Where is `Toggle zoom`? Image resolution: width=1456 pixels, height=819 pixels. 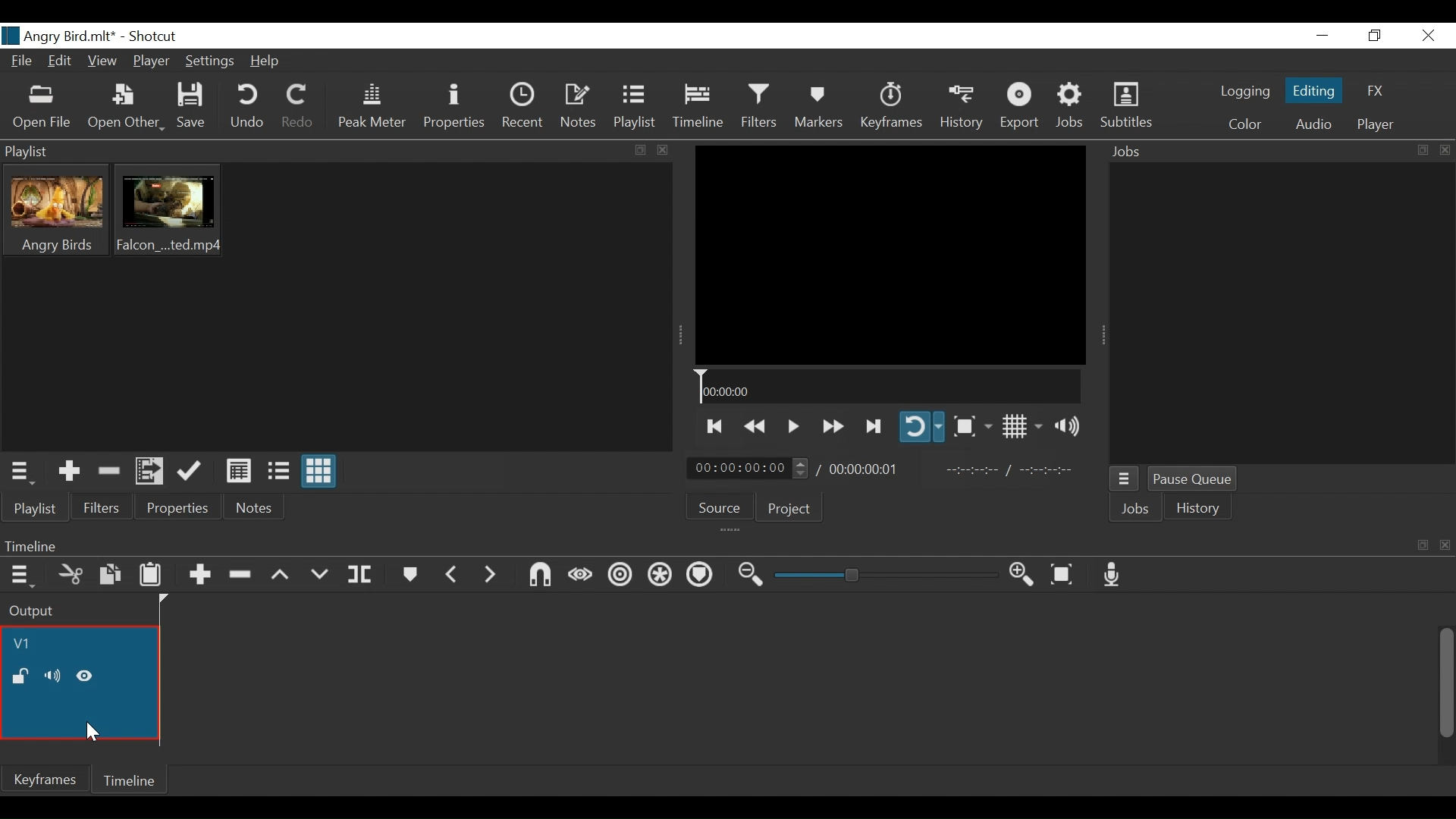 Toggle zoom is located at coordinates (973, 427).